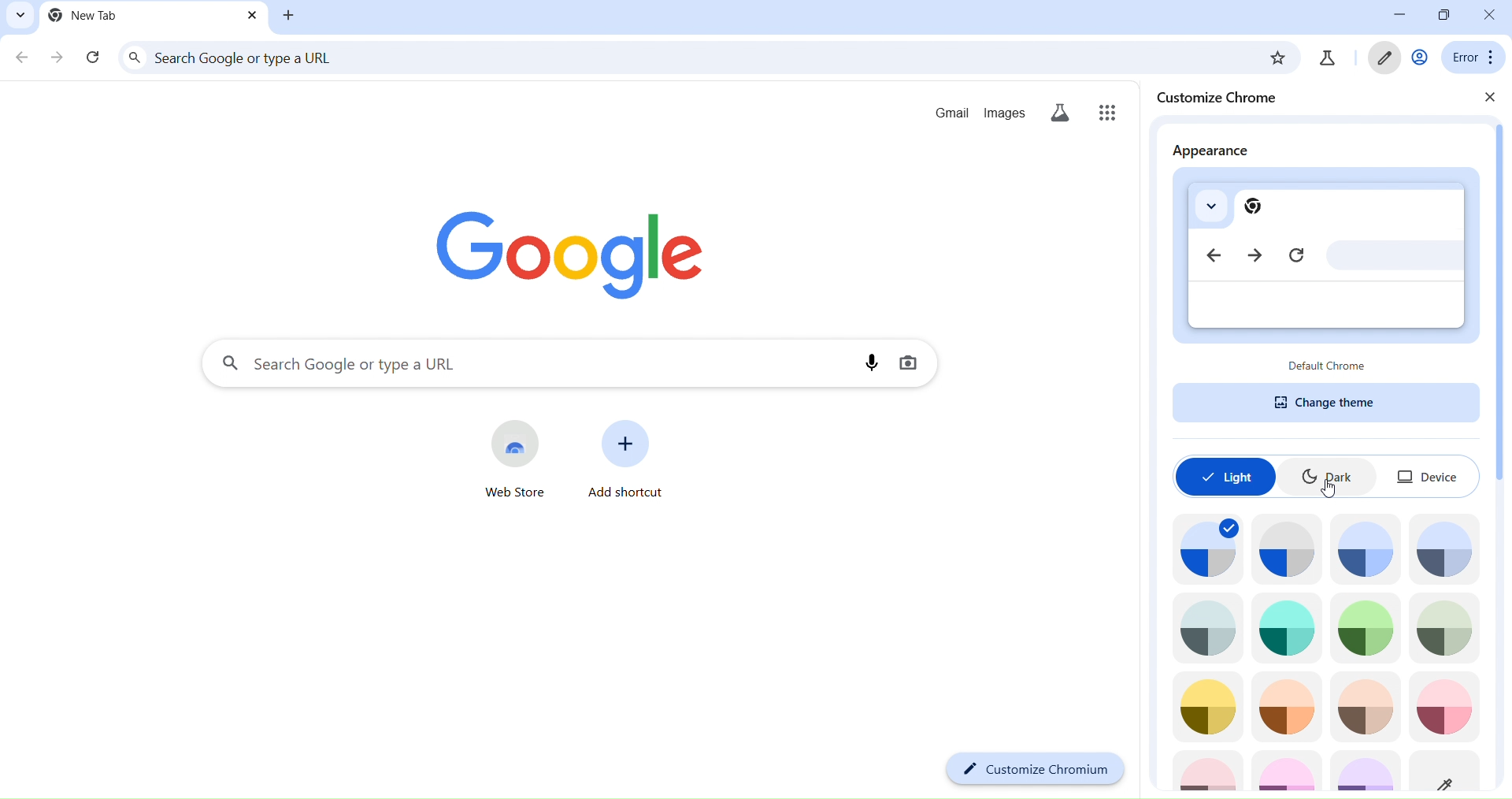 The image size is (1512, 799). I want to click on images, so click(1006, 112).